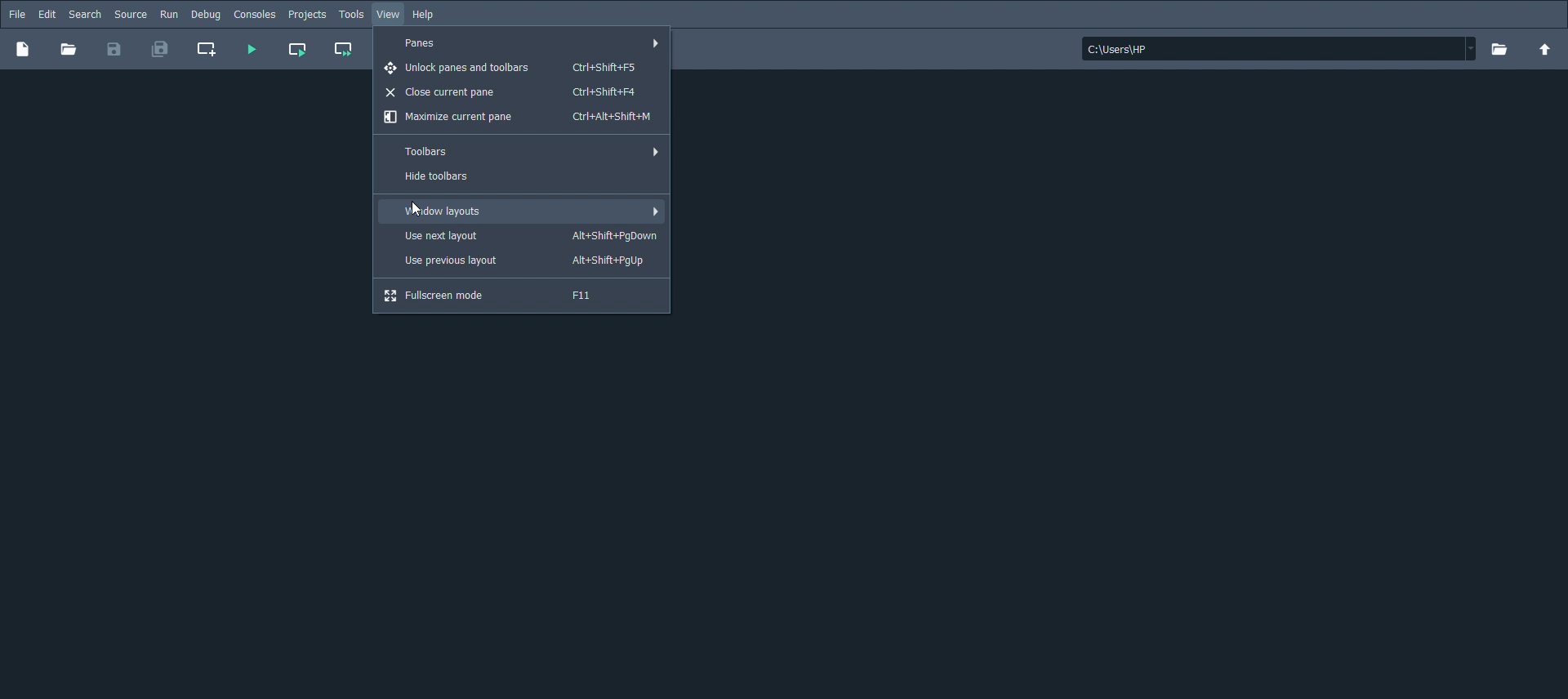 This screenshot has width=1568, height=699. What do you see at coordinates (415, 209) in the screenshot?
I see `Cursor` at bounding box center [415, 209].